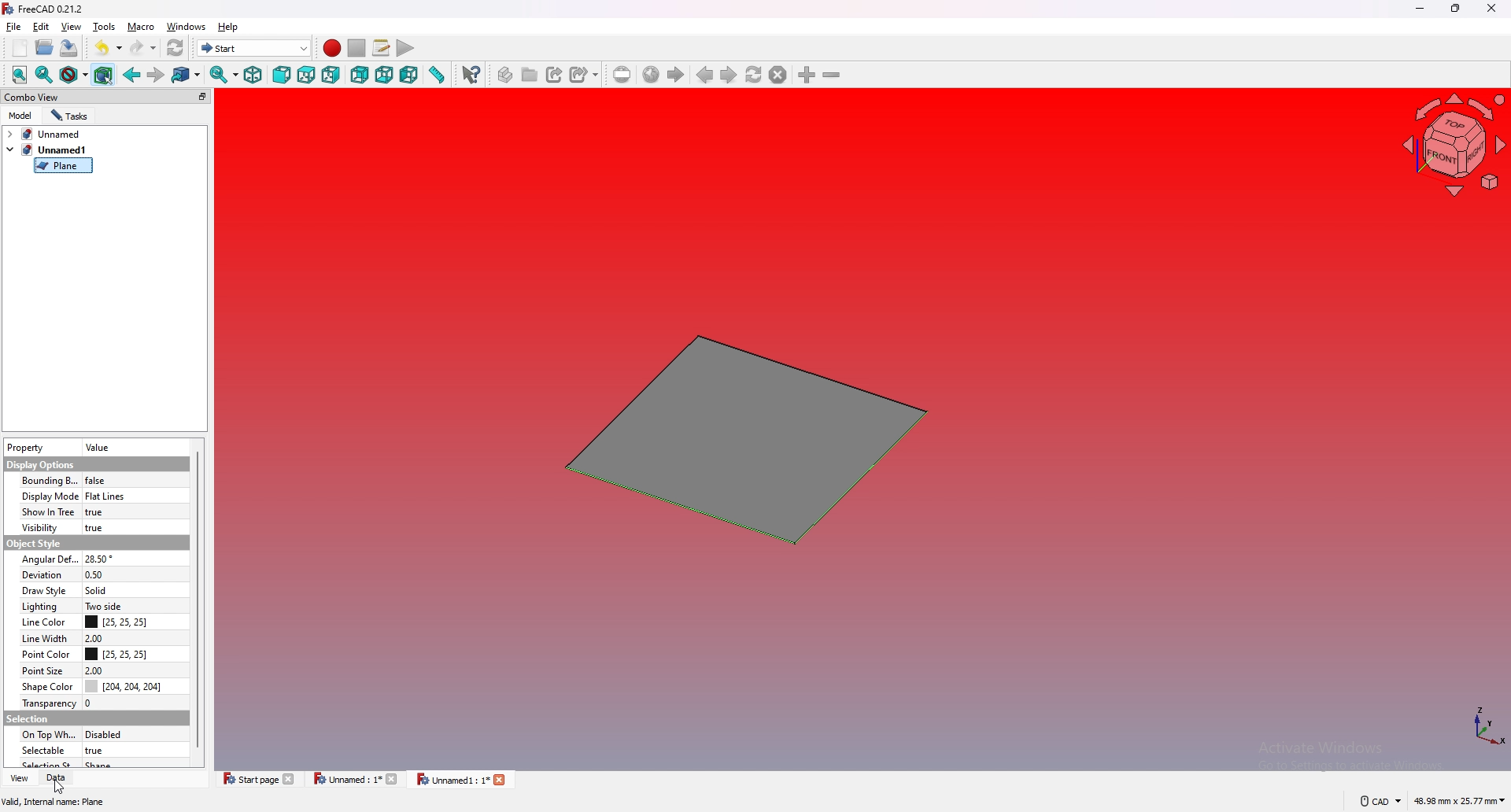 The image size is (1511, 812). I want to click on fit all, so click(20, 75).